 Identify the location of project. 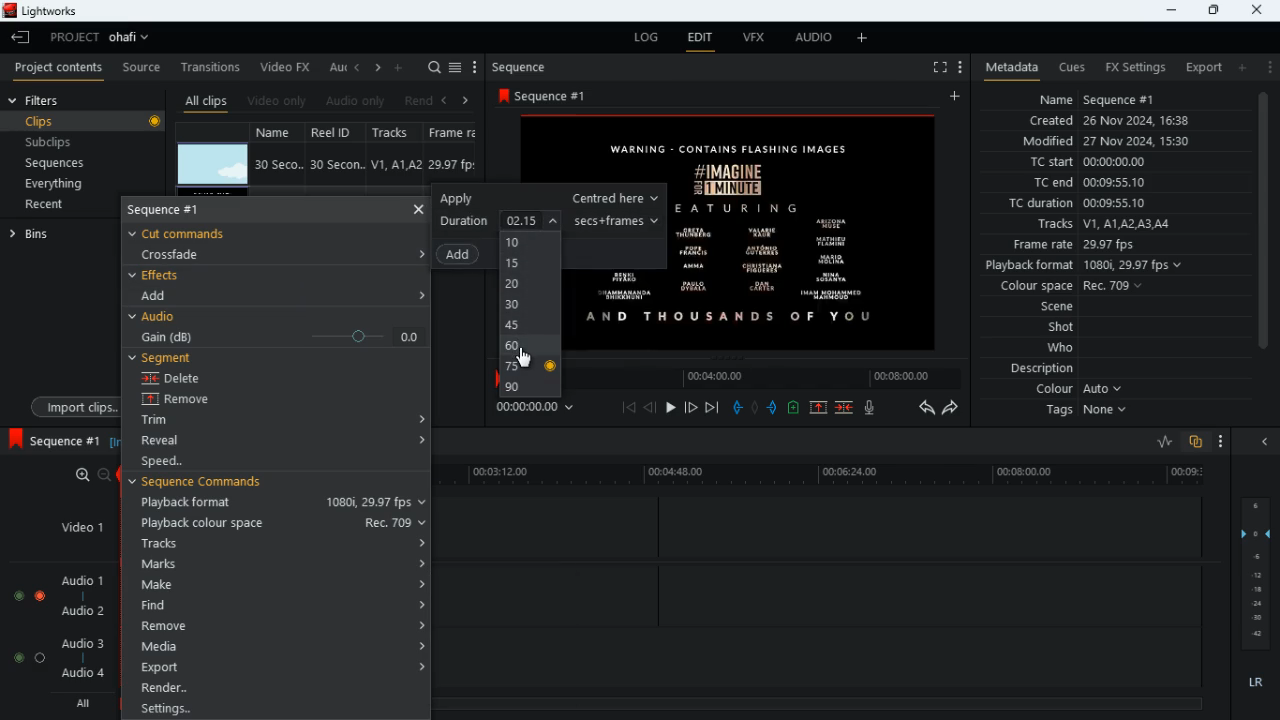
(104, 37).